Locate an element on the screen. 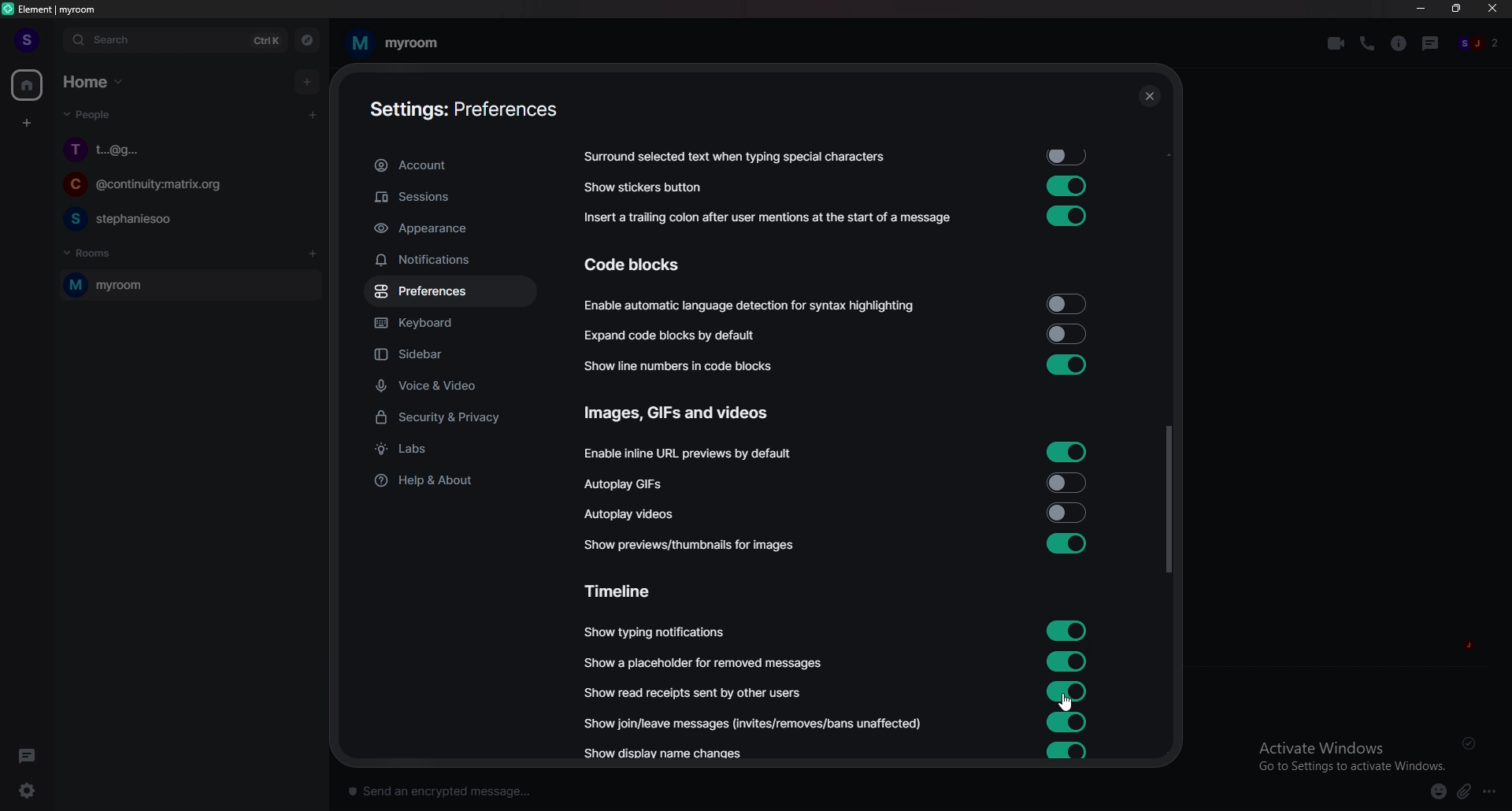  help is located at coordinates (449, 480).